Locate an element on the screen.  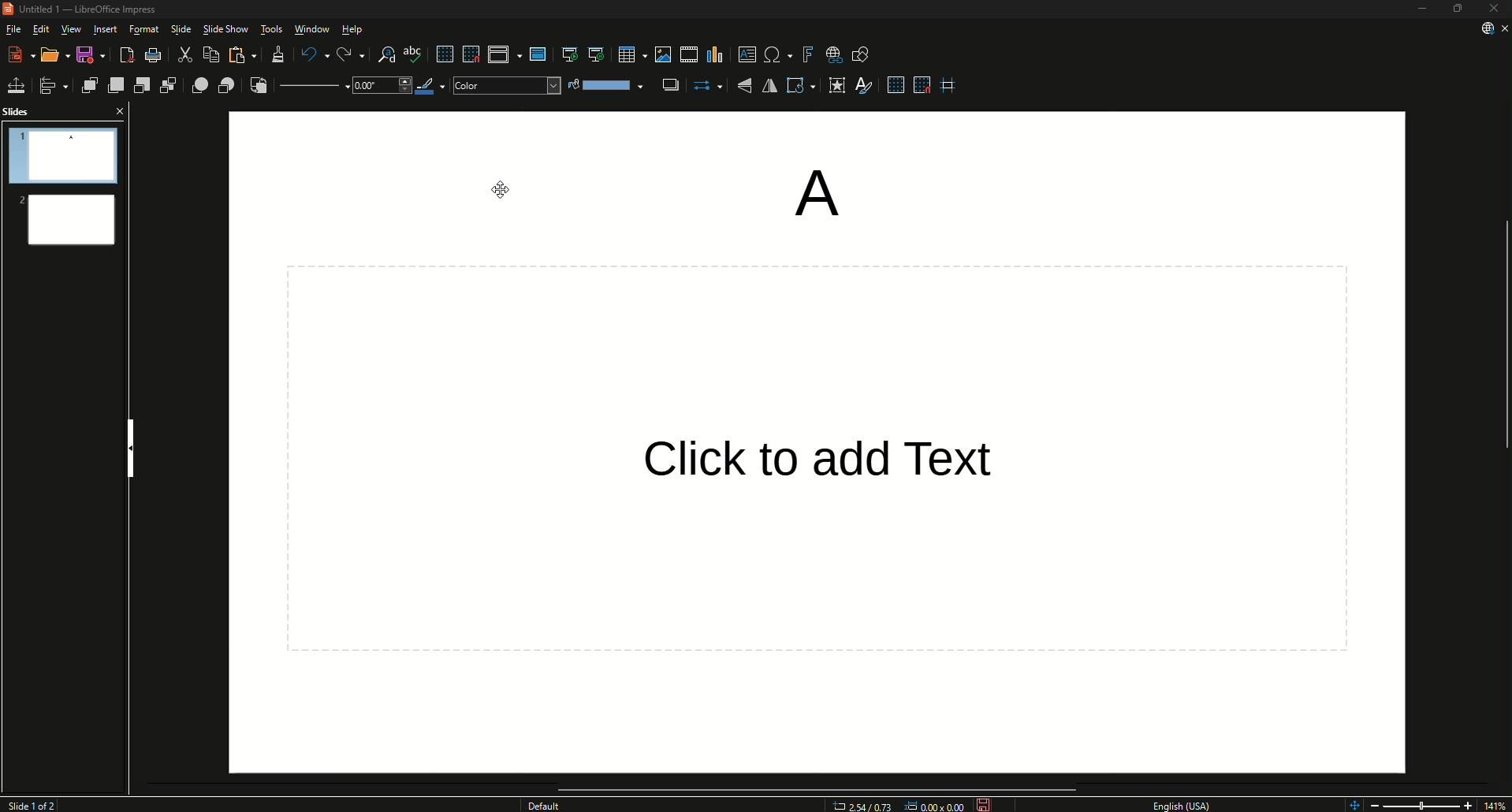
Hide is located at coordinates (132, 442).